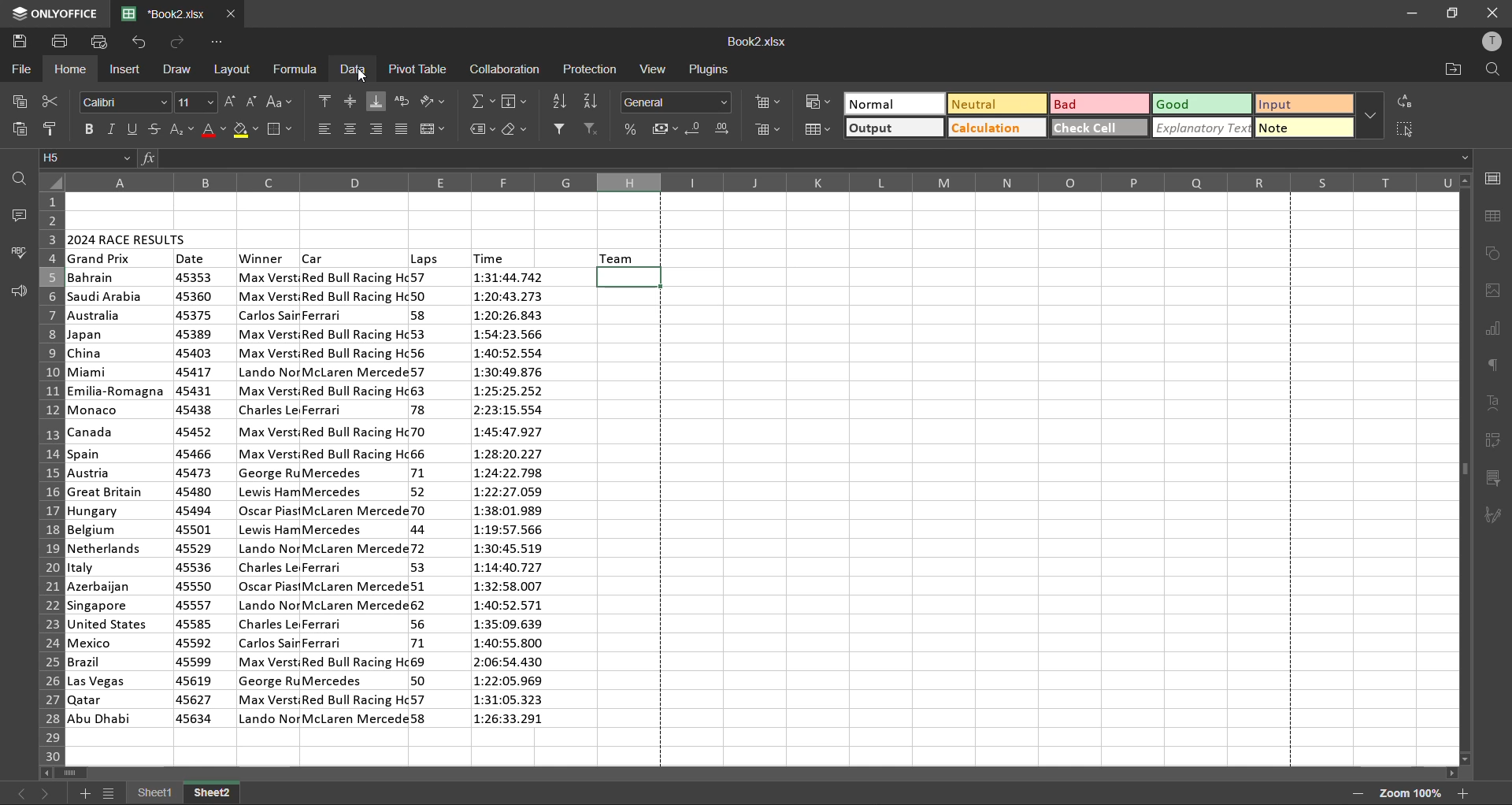  What do you see at coordinates (751, 775) in the screenshot?
I see `scrollbar` at bounding box center [751, 775].